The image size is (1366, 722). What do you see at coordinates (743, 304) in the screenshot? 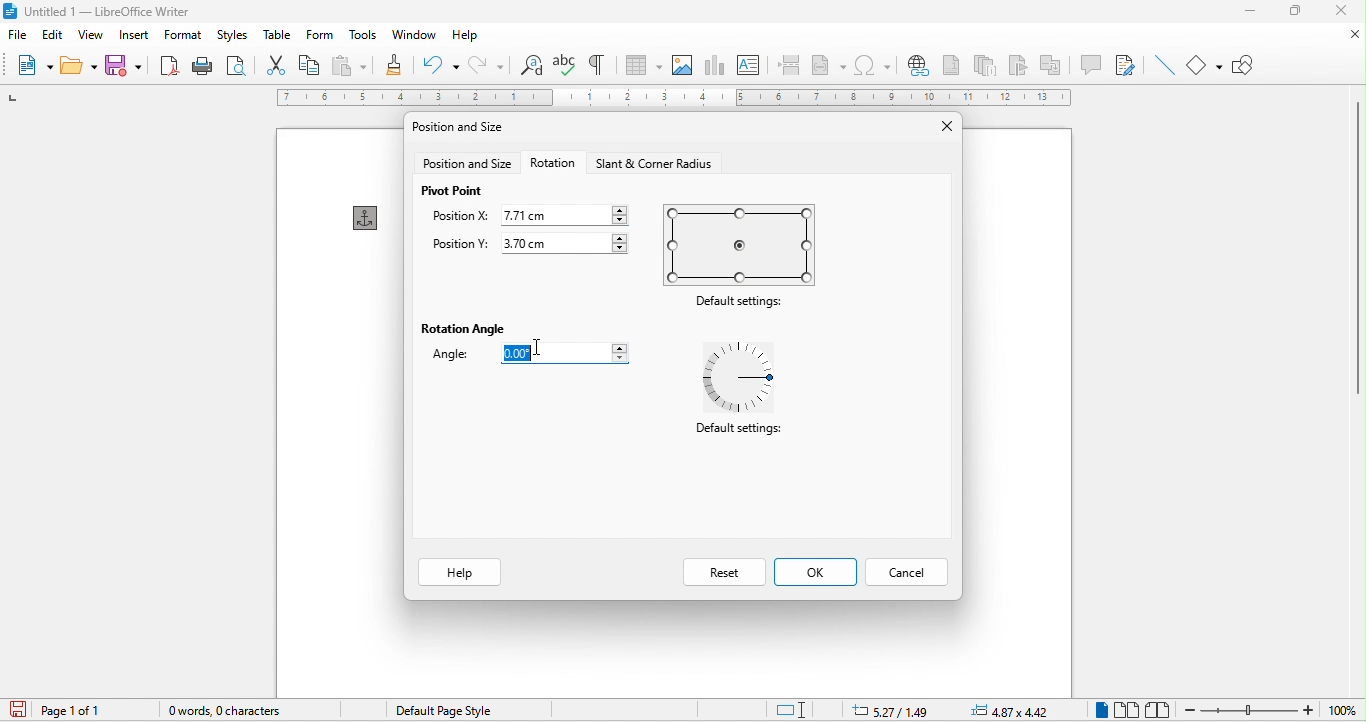
I see `Default settings:` at bounding box center [743, 304].